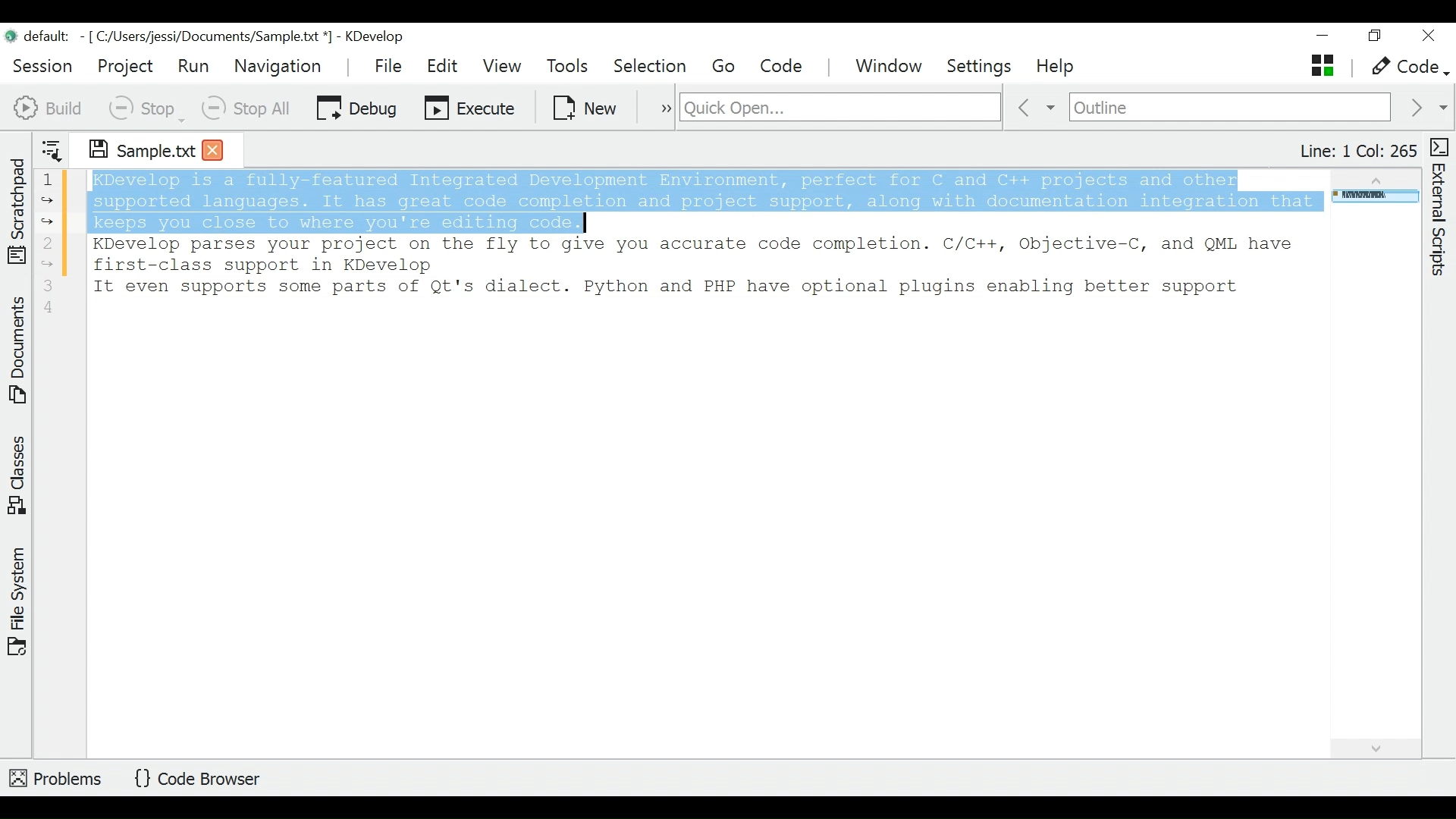 The height and width of the screenshot is (819, 1456). Describe the element at coordinates (43, 64) in the screenshot. I see `Session` at that location.